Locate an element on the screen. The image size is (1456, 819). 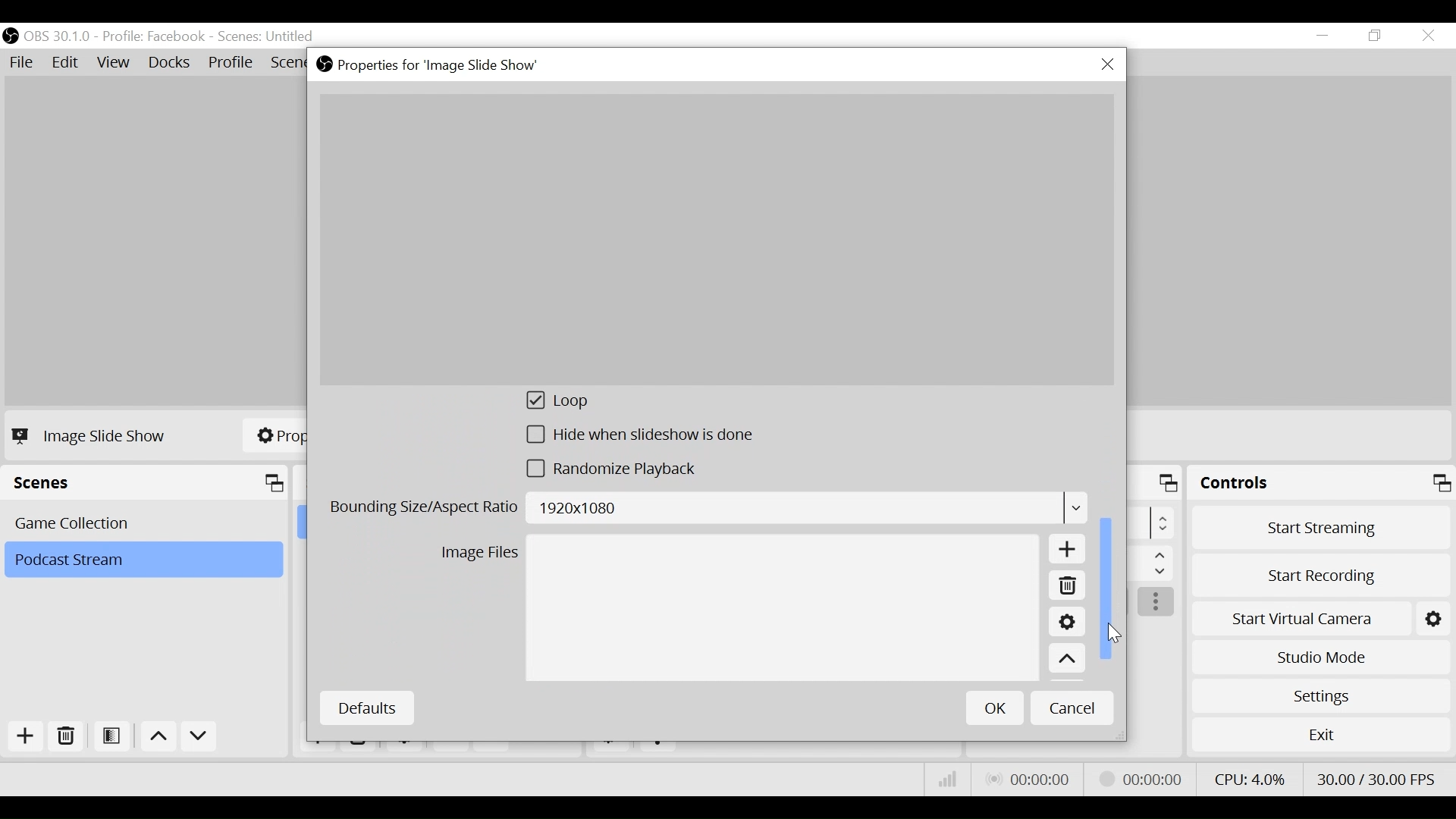
Frame Per Second is located at coordinates (1376, 776).